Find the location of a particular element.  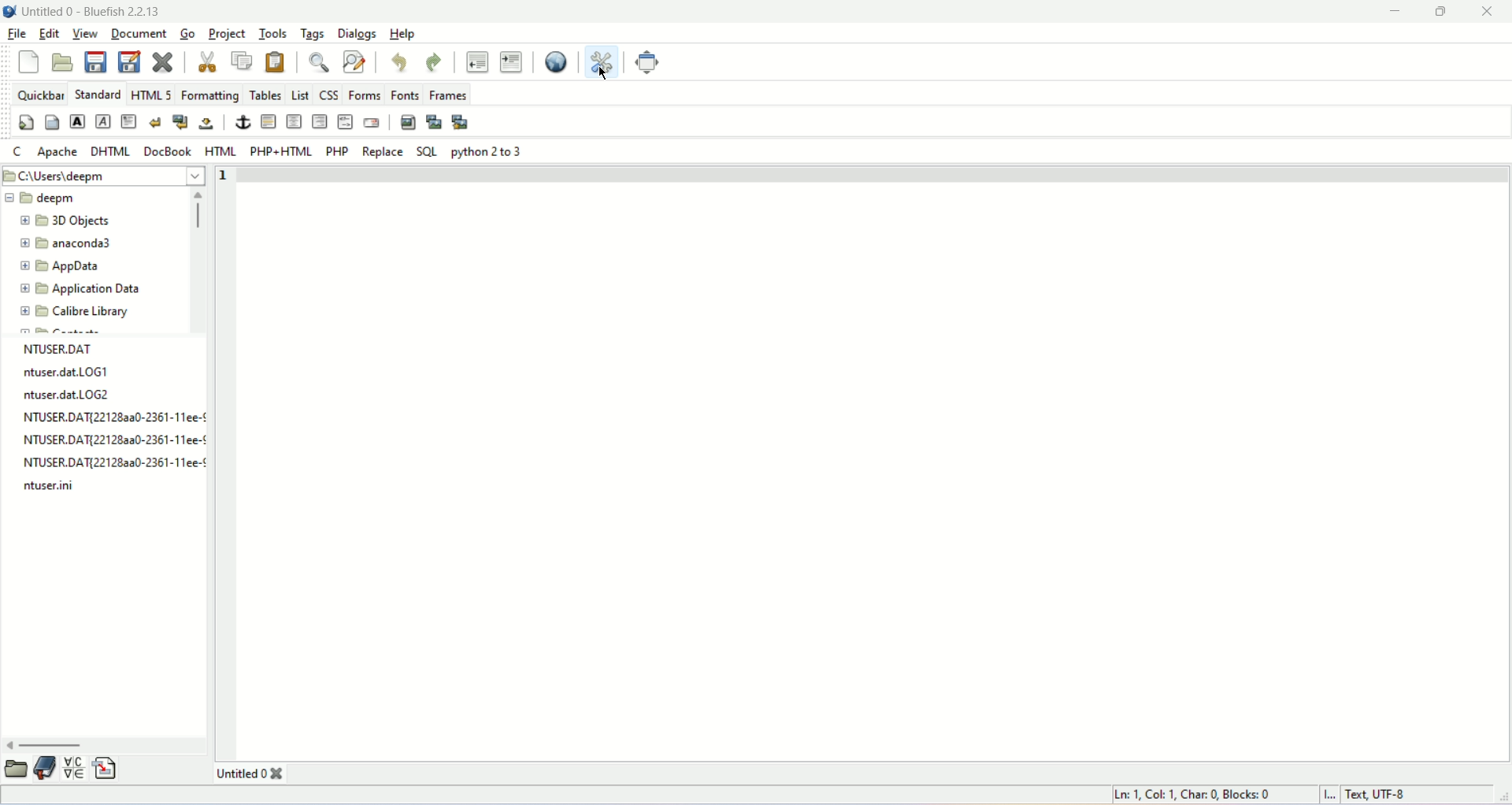

help is located at coordinates (404, 33).